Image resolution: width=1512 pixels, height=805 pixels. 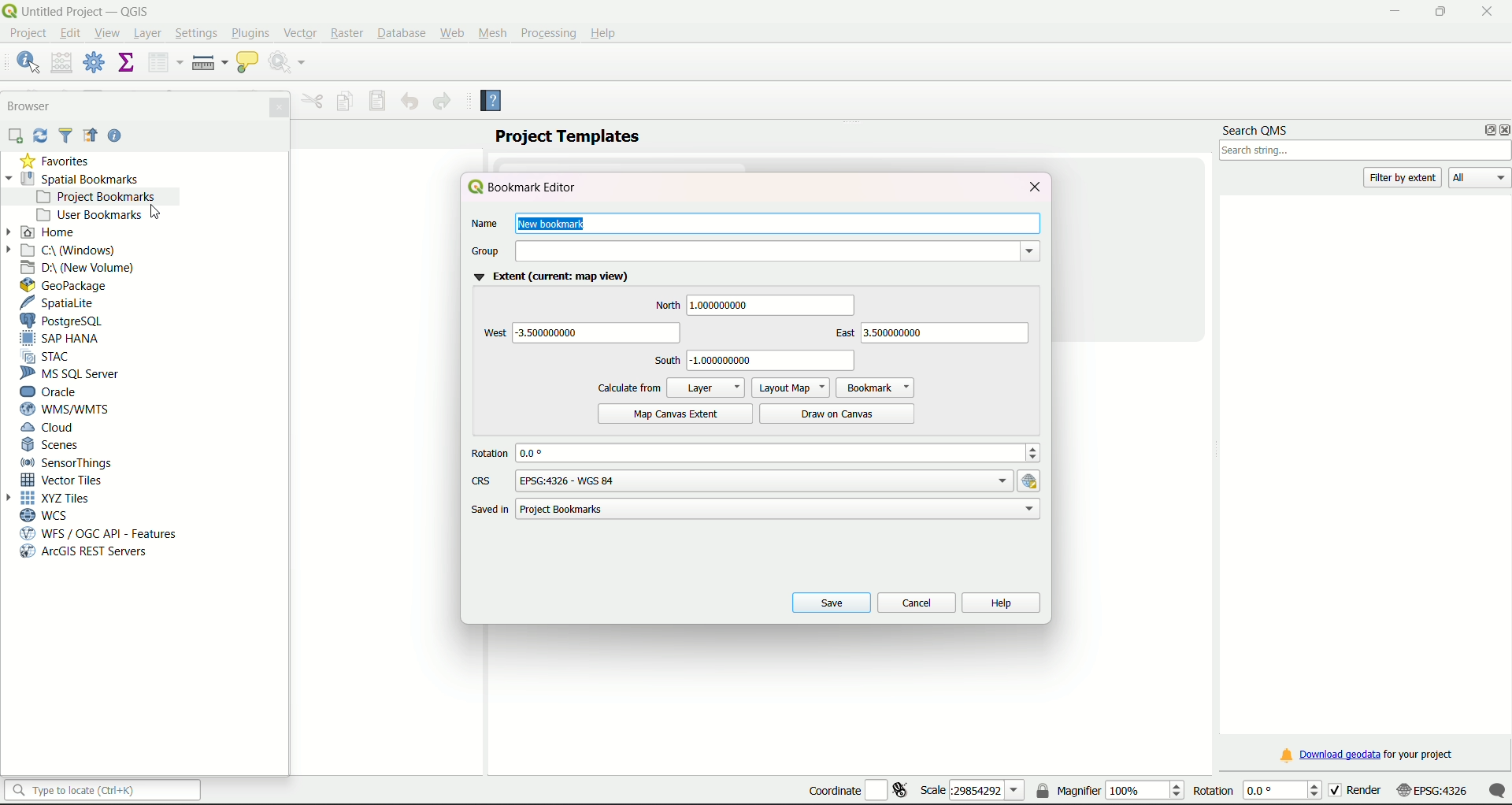 I want to click on download link, so click(x=1366, y=755).